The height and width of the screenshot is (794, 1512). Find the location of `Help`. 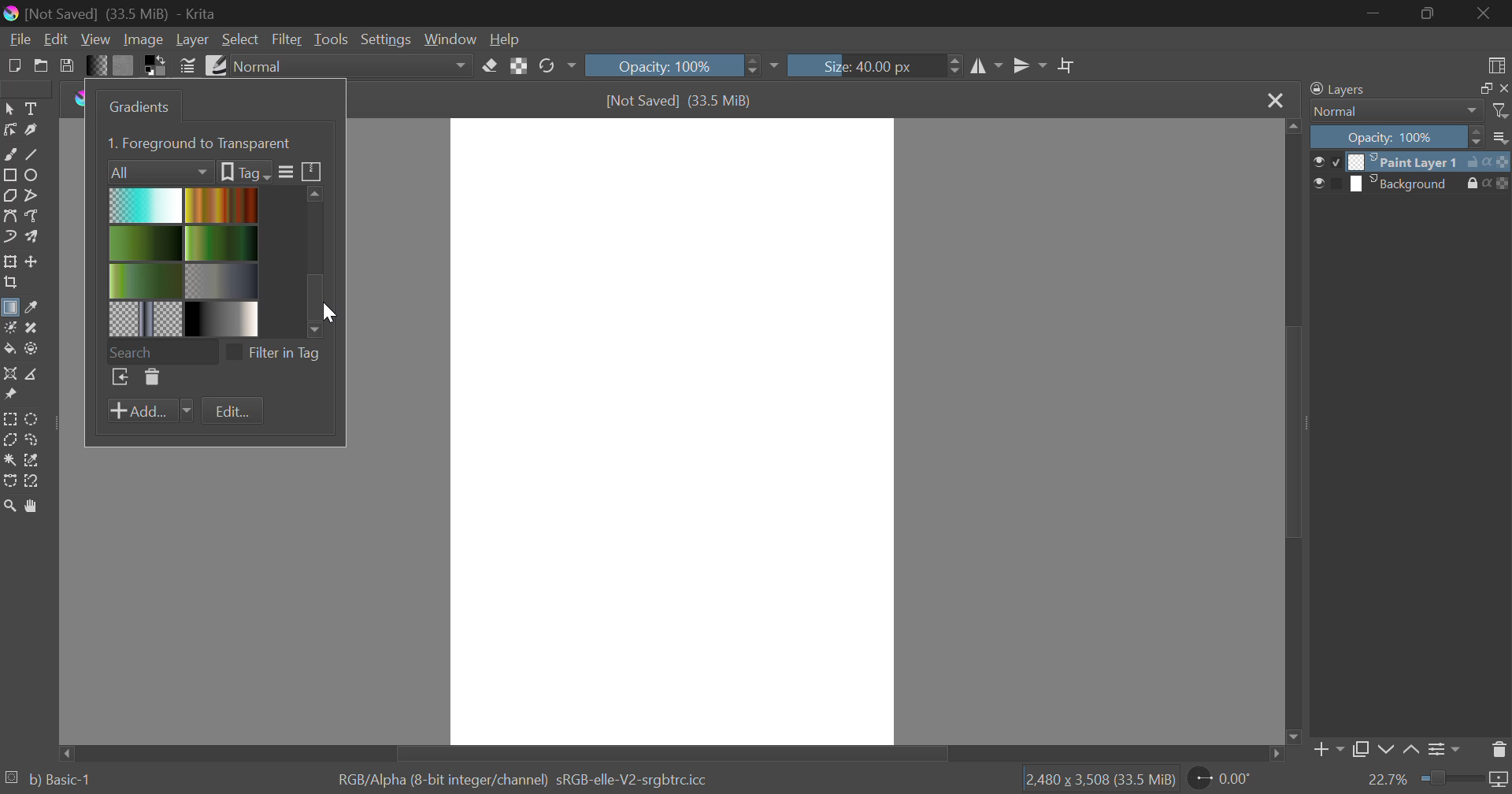

Help is located at coordinates (505, 39).